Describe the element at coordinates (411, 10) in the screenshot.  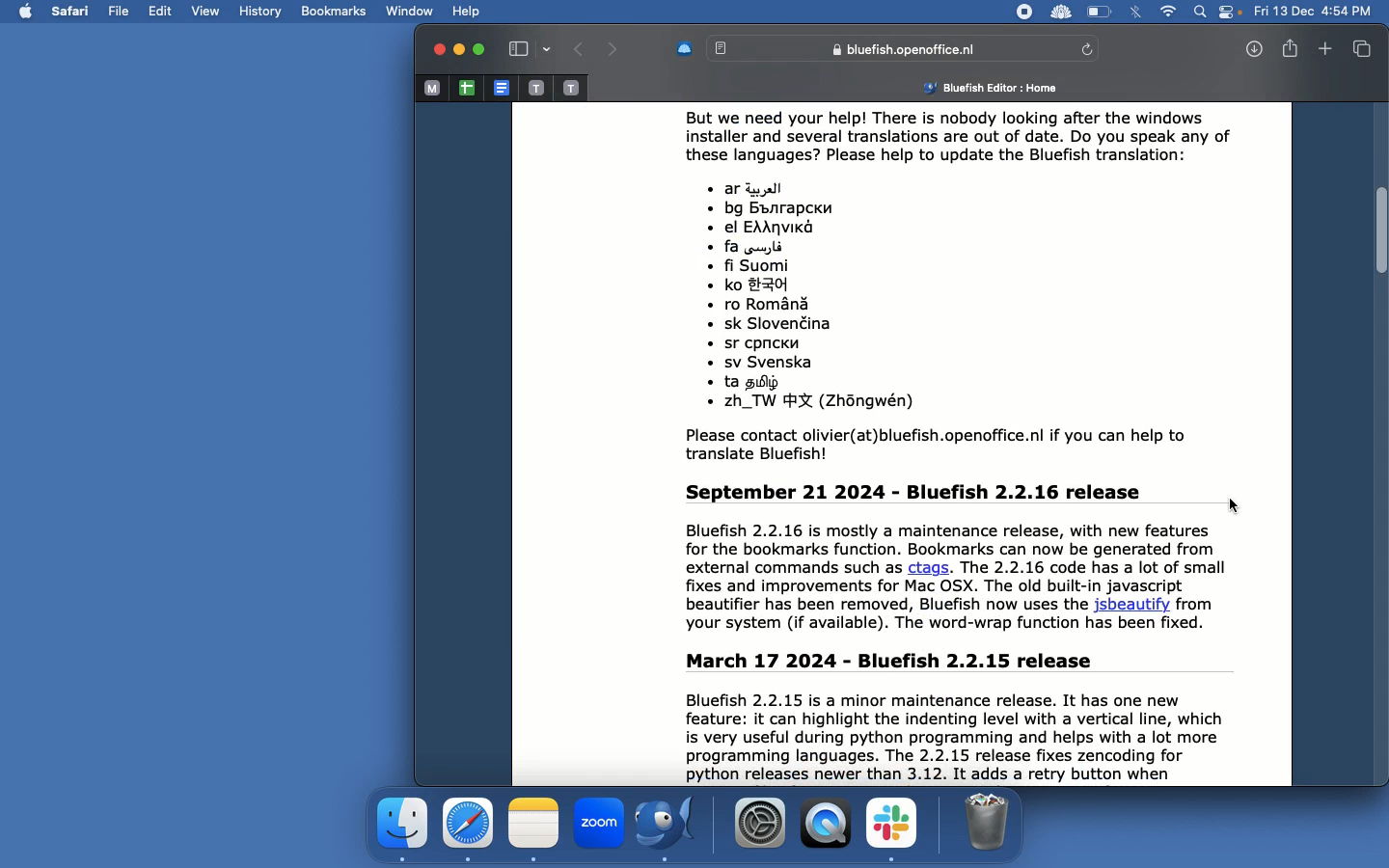
I see `Window` at that location.